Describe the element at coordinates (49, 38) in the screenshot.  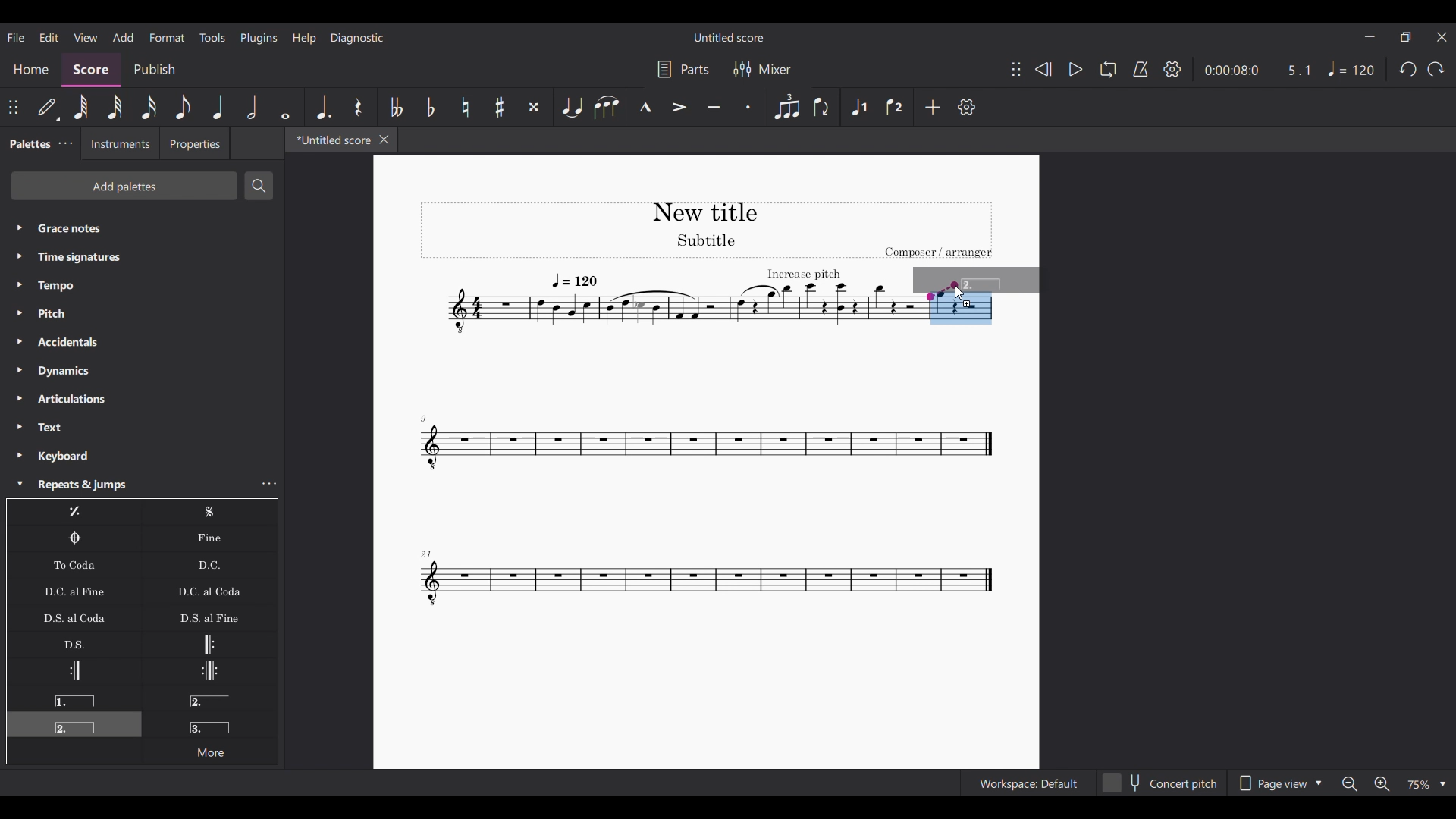
I see `Edit menu` at that location.